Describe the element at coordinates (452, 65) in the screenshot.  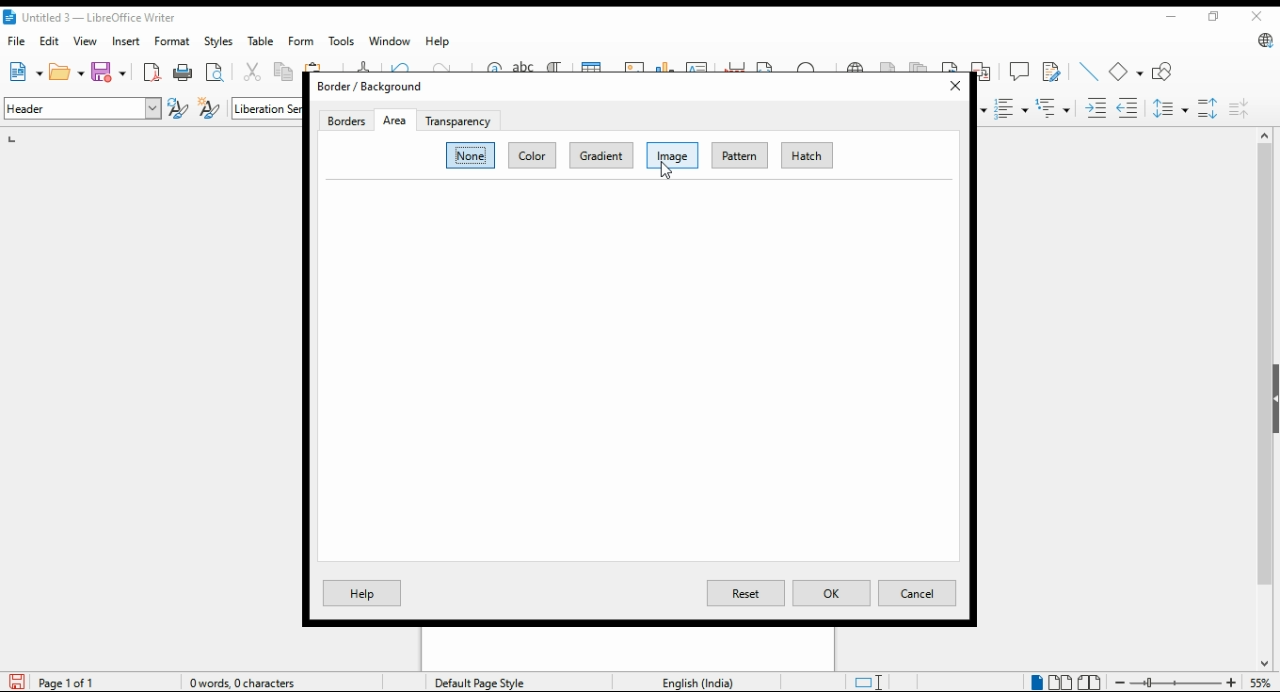
I see `redo` at that location.